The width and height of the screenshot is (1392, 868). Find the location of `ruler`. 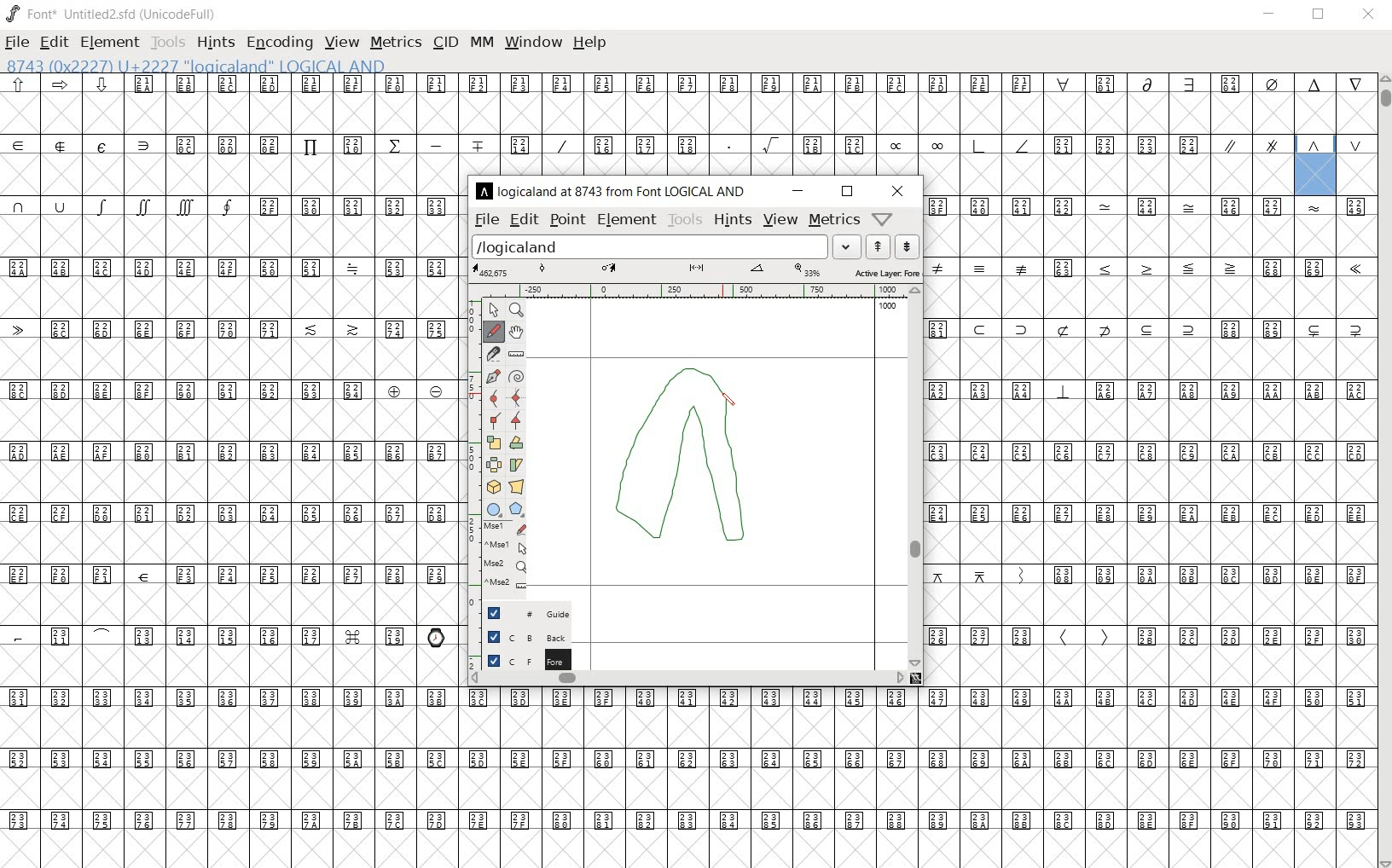

ruler is located at coordinates (692, 291).